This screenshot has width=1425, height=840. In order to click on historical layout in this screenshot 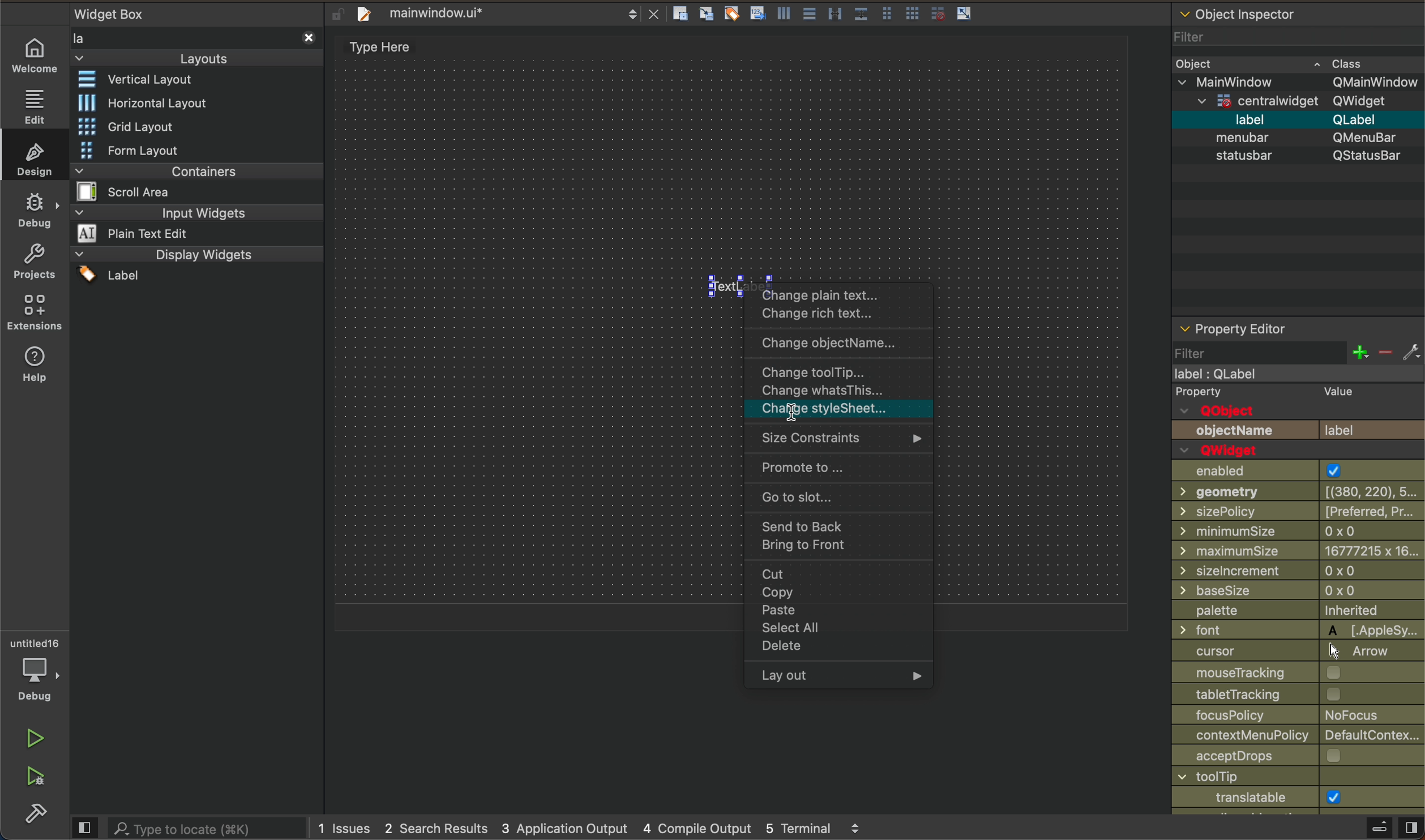, I will do `click(144, 102)`.